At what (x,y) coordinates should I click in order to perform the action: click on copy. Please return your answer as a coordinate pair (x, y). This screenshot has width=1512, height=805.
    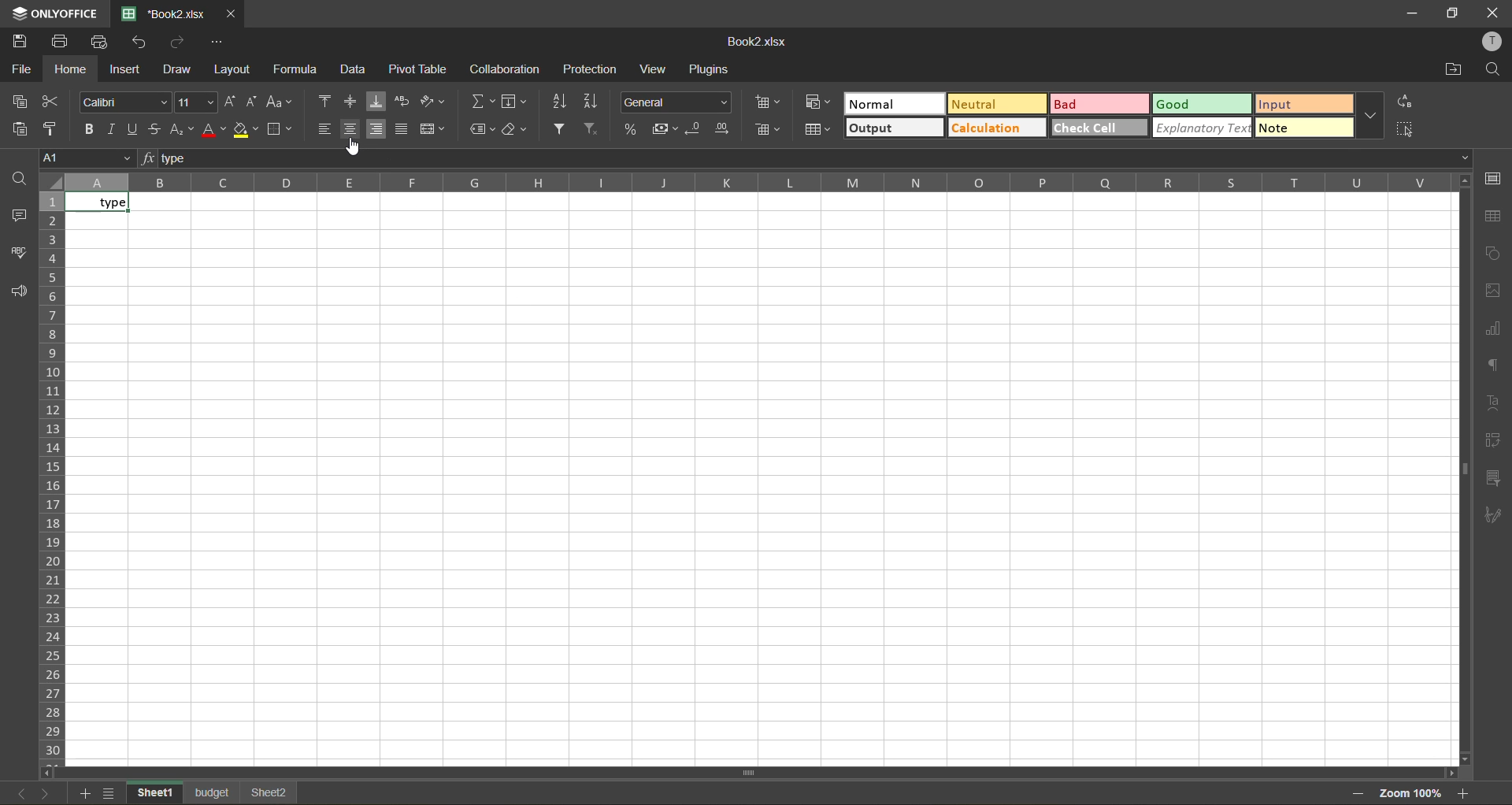
    Looking at the image, I should click on (24, 99).